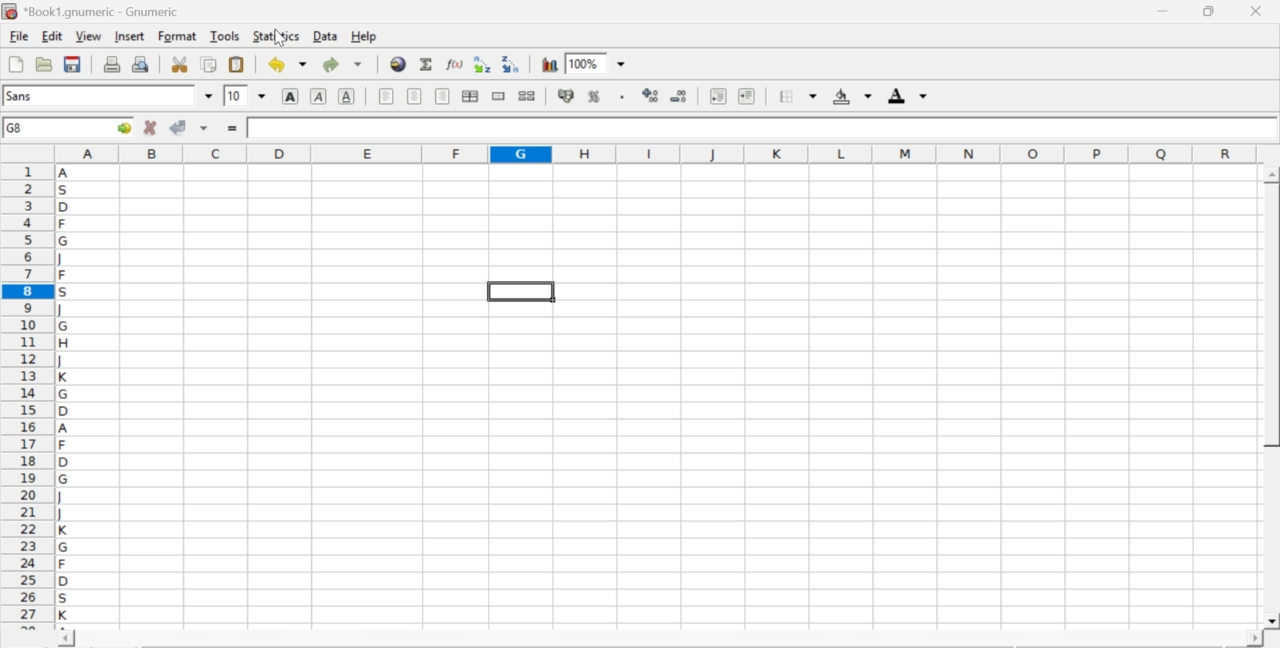 The height and width of the screenshot is (648, 1280). What do you see at coordinates (203, 127) in the screenshot?
I see `accept changes across selection` at bounding box center [203, 127].